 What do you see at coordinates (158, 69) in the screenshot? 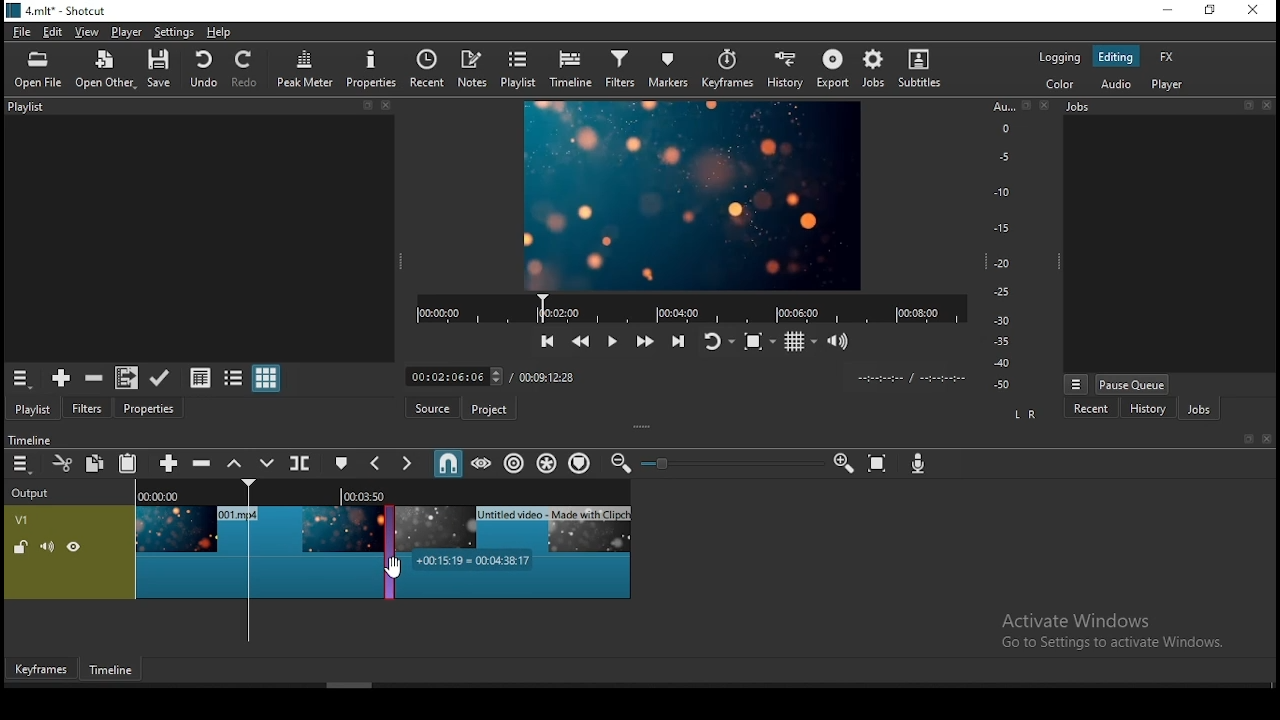
I see `save` at bounding box center [158, 69].